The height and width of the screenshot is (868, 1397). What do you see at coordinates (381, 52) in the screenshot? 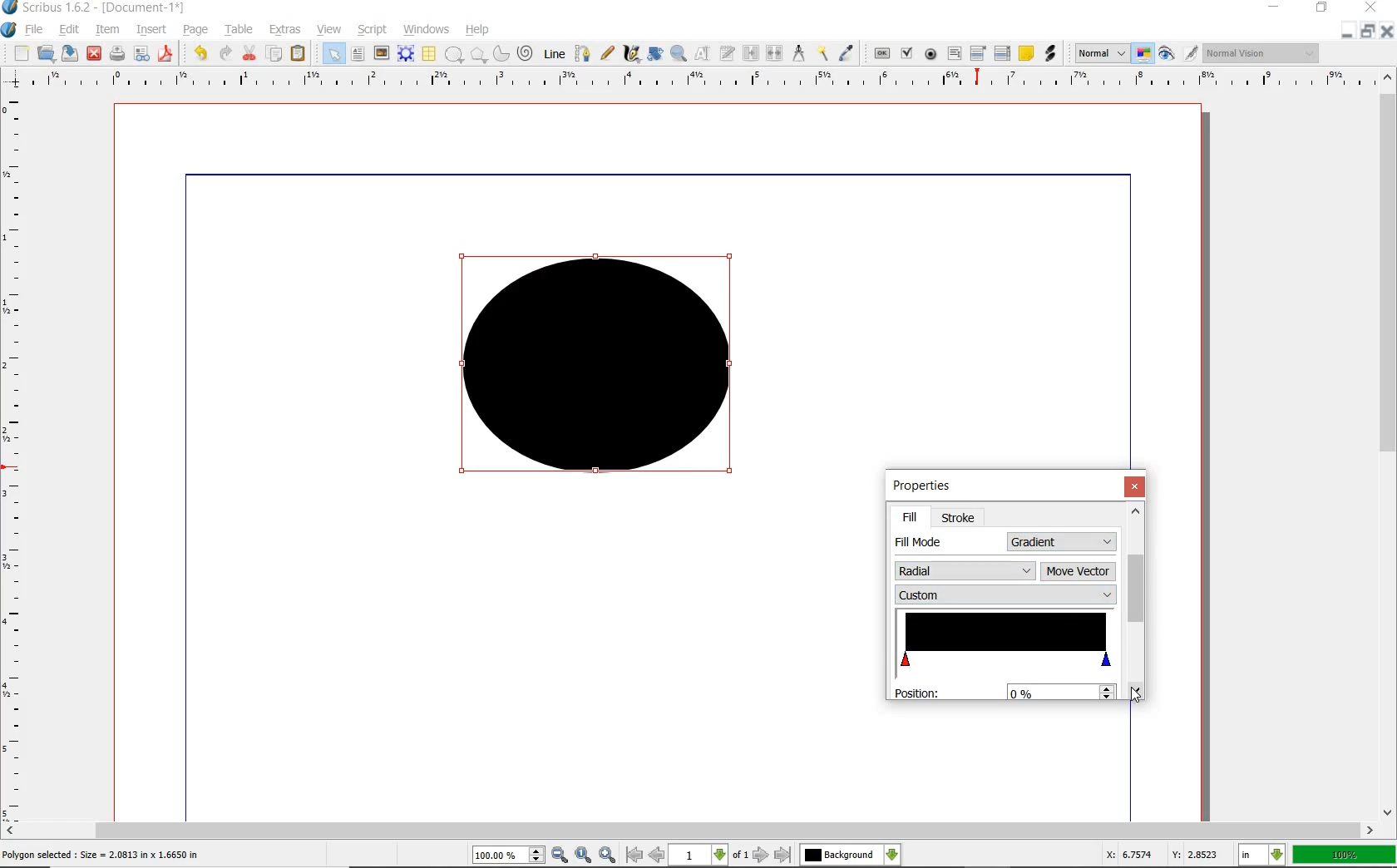
I see `IMAGE` at bounding box center [381, 52].